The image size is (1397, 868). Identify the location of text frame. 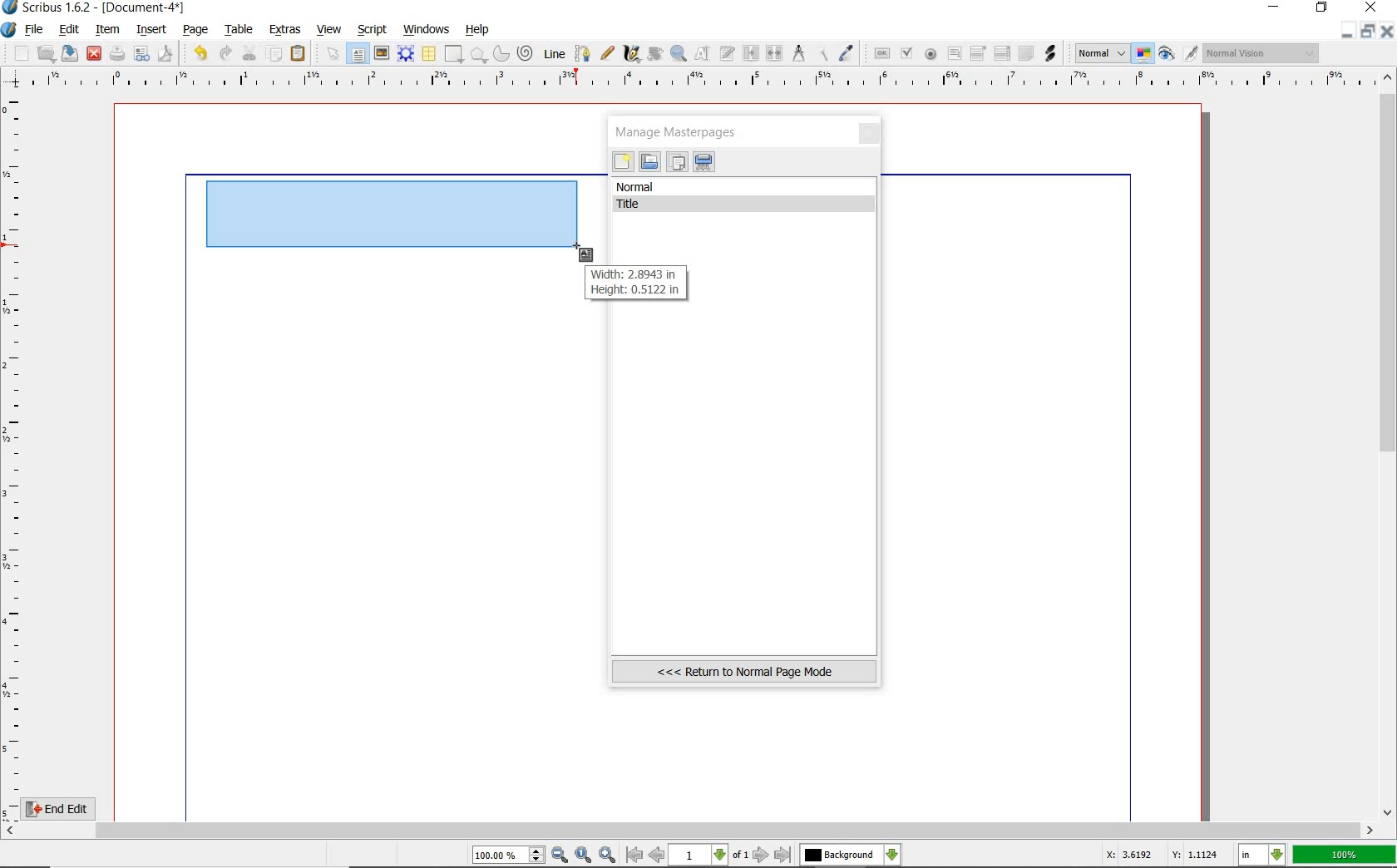
(359, 54).